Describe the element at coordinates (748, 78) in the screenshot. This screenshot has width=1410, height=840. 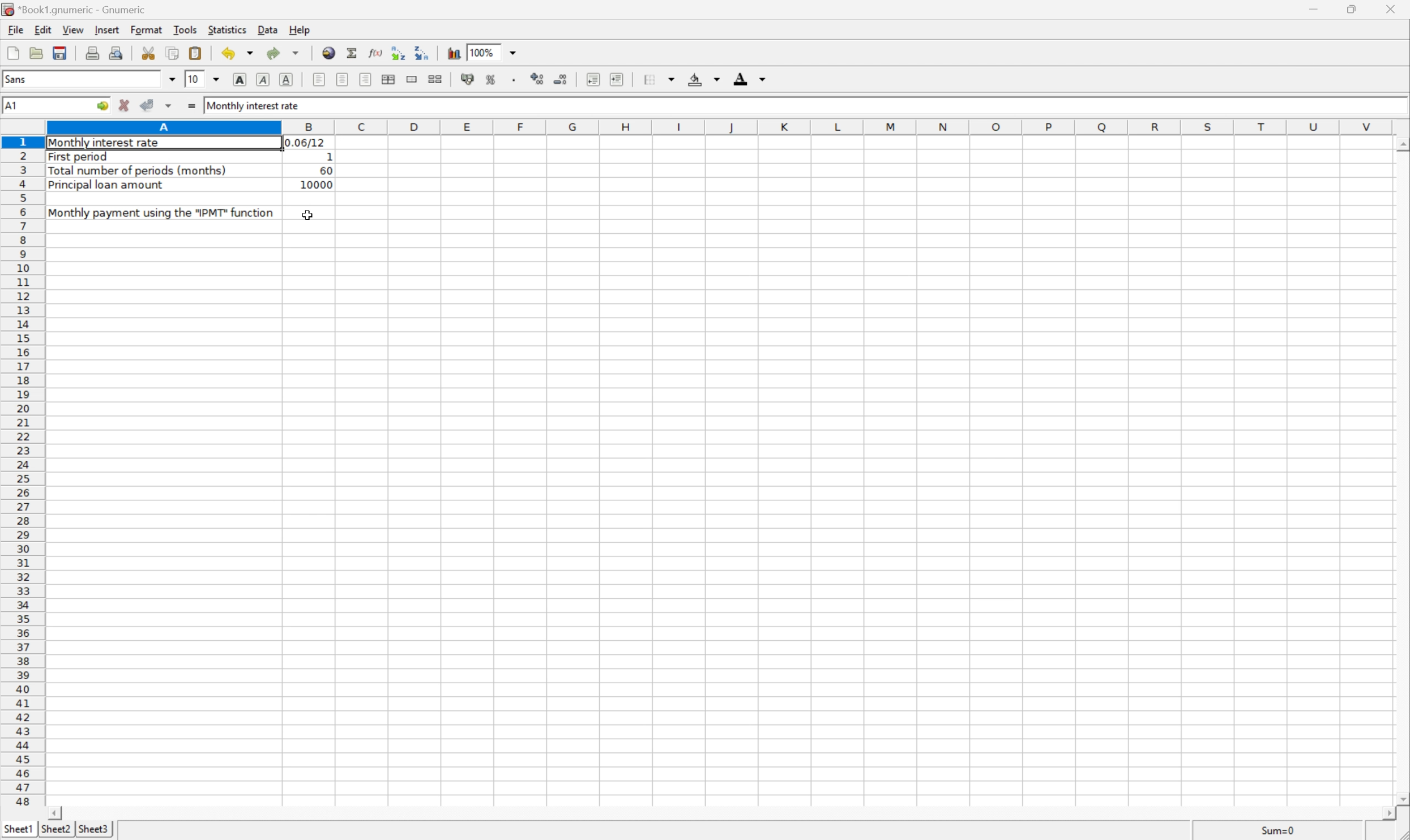
I see `Foreground` at that location.